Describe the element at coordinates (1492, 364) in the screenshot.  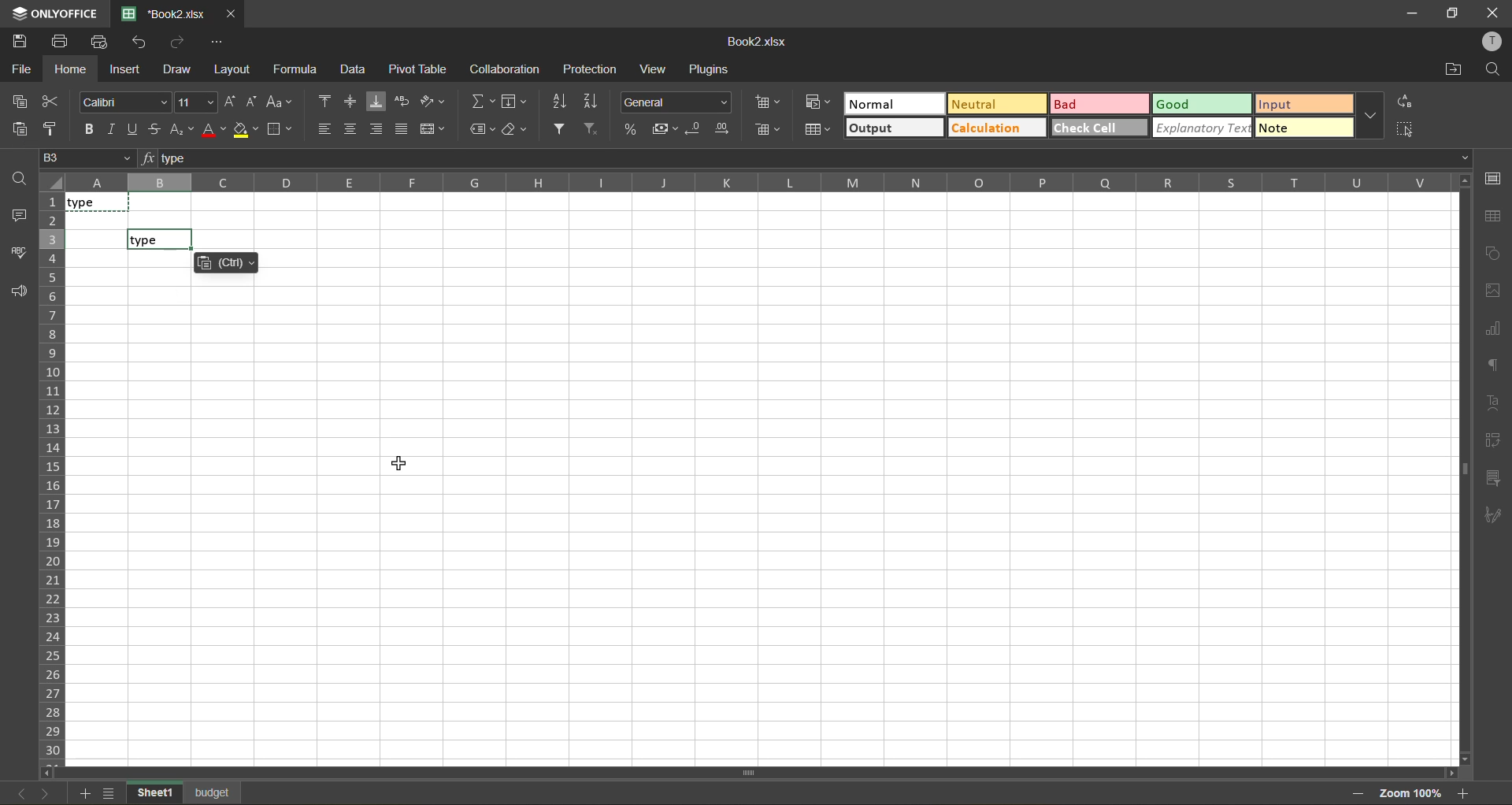
I see `paragraph` at that location.